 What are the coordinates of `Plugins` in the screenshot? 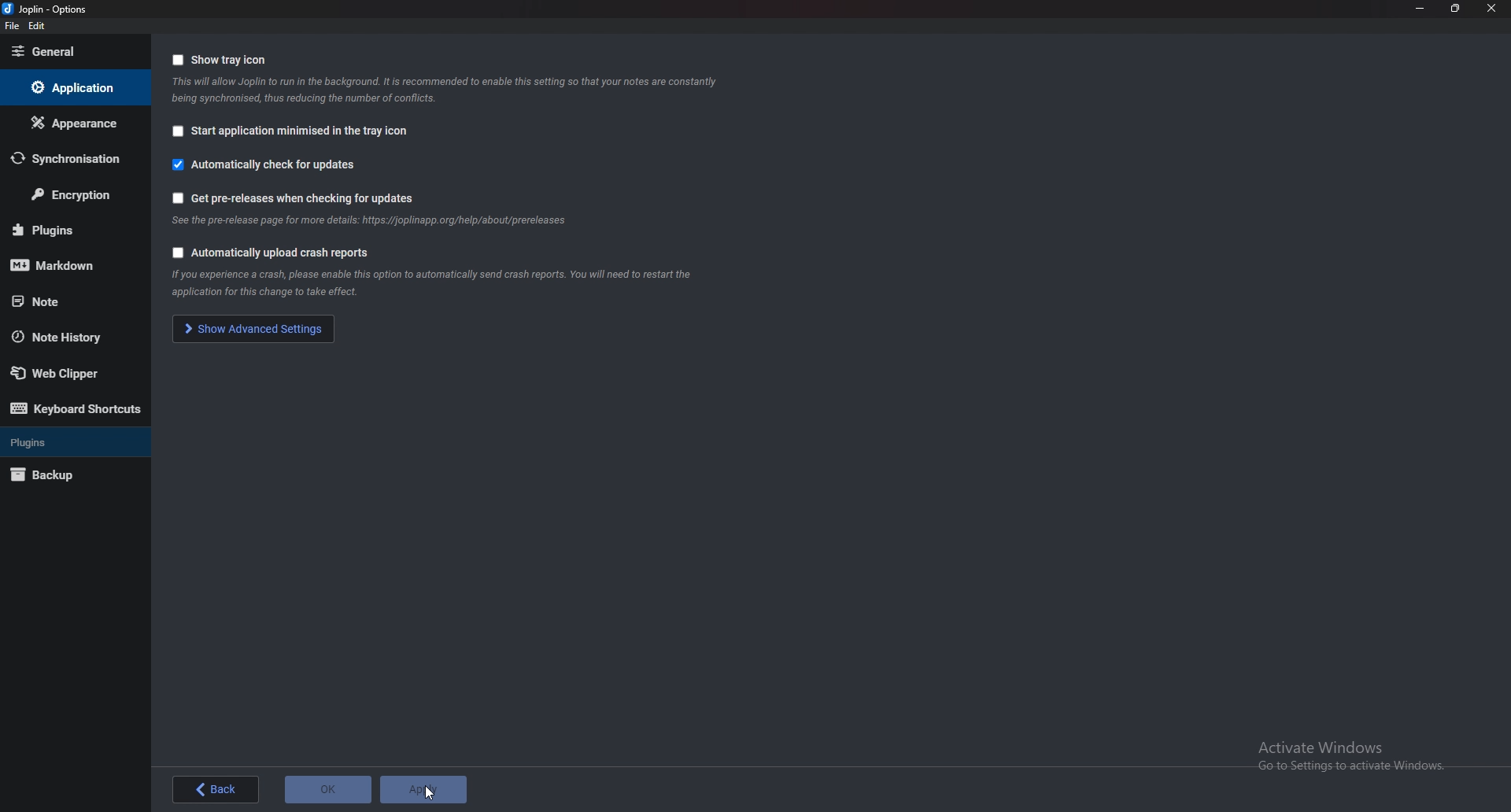 It's located at (67, 227).